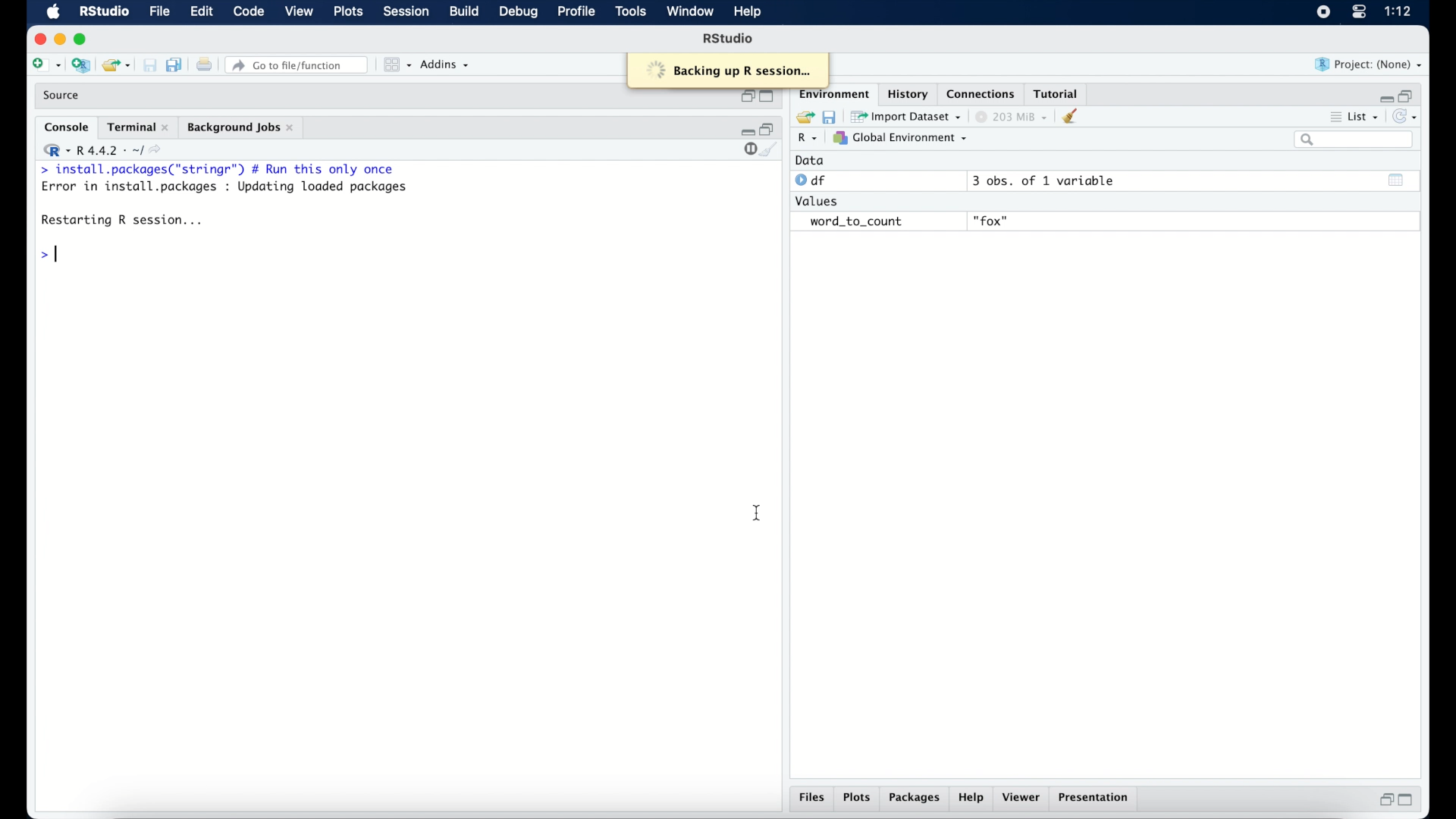 The image size is (1456, 819). What do you see at coordinates (519, 13) in the screenshot?
I see `debug` at bounding box center [519, 13].